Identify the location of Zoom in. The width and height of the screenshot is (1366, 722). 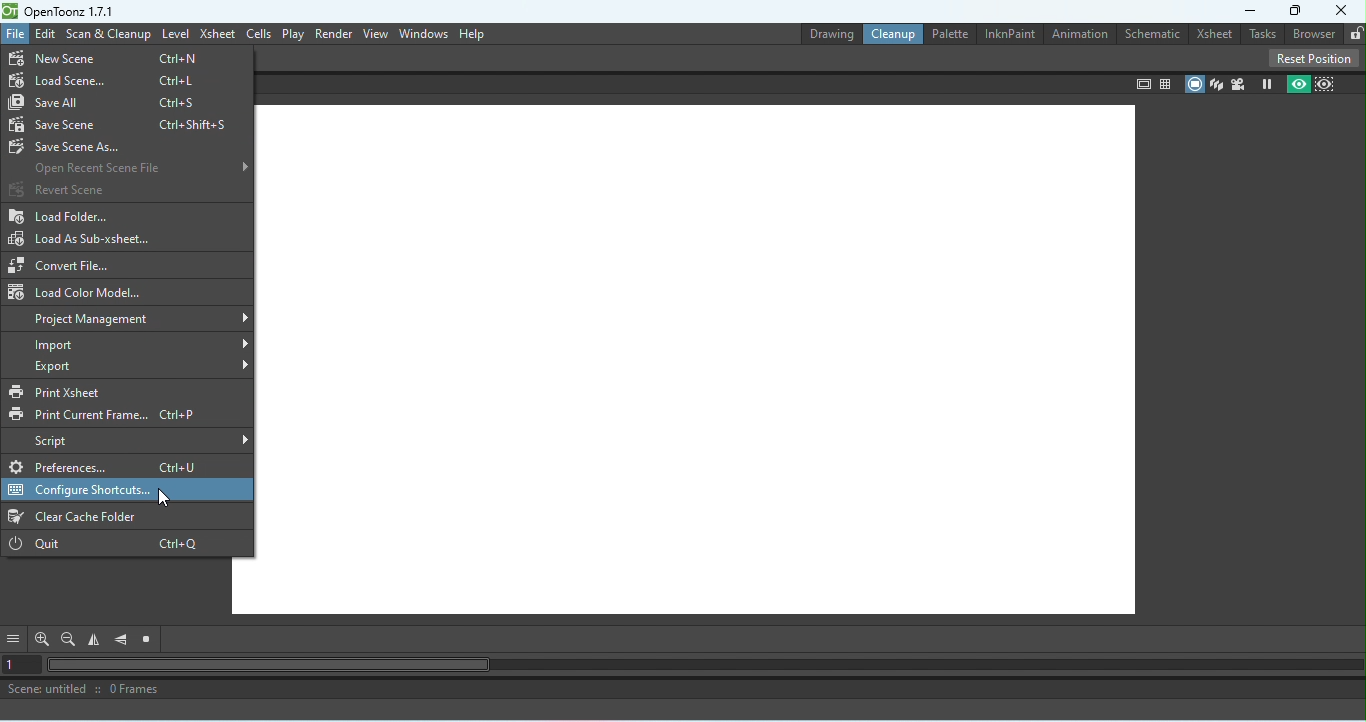
(40, 639).